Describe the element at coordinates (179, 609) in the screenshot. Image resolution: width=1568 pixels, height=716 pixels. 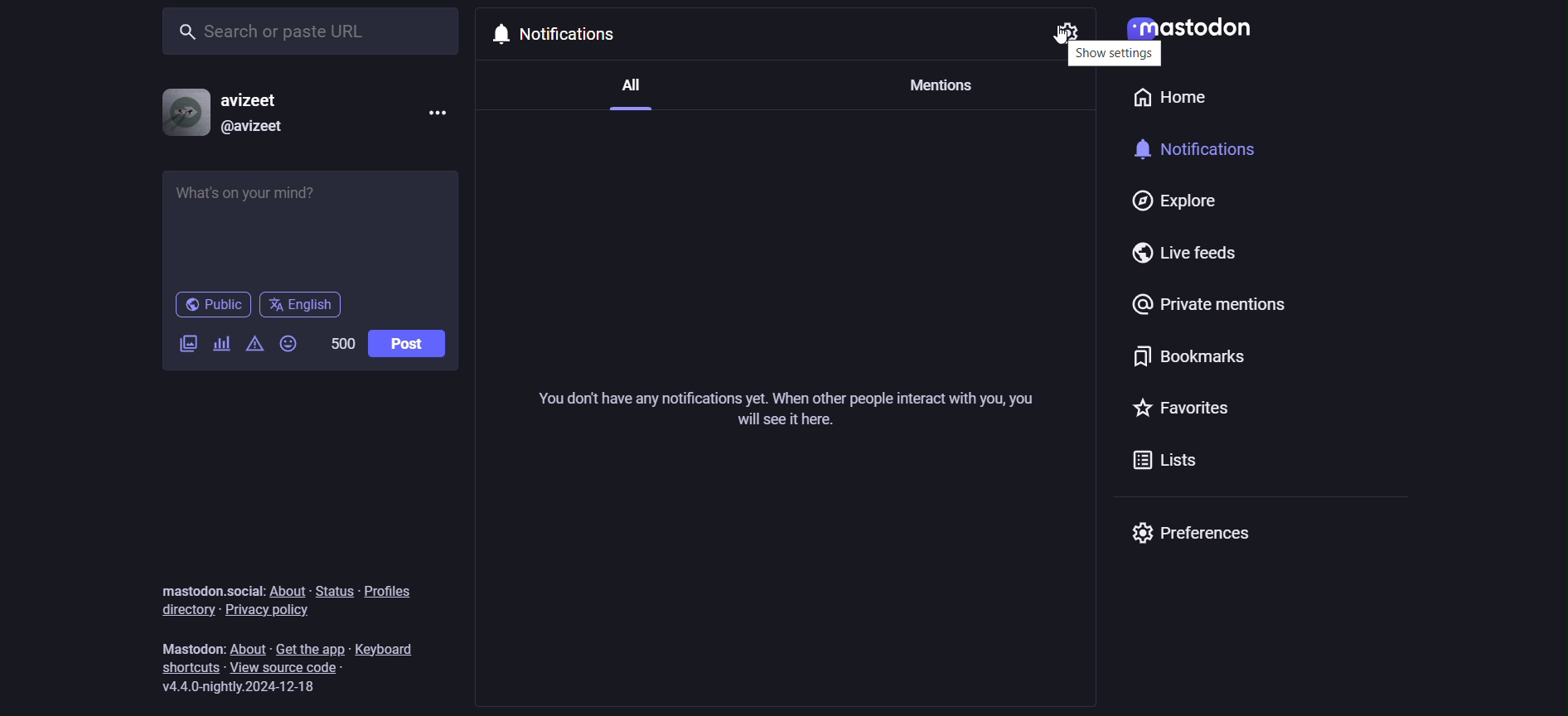
I see `directory` at that location.